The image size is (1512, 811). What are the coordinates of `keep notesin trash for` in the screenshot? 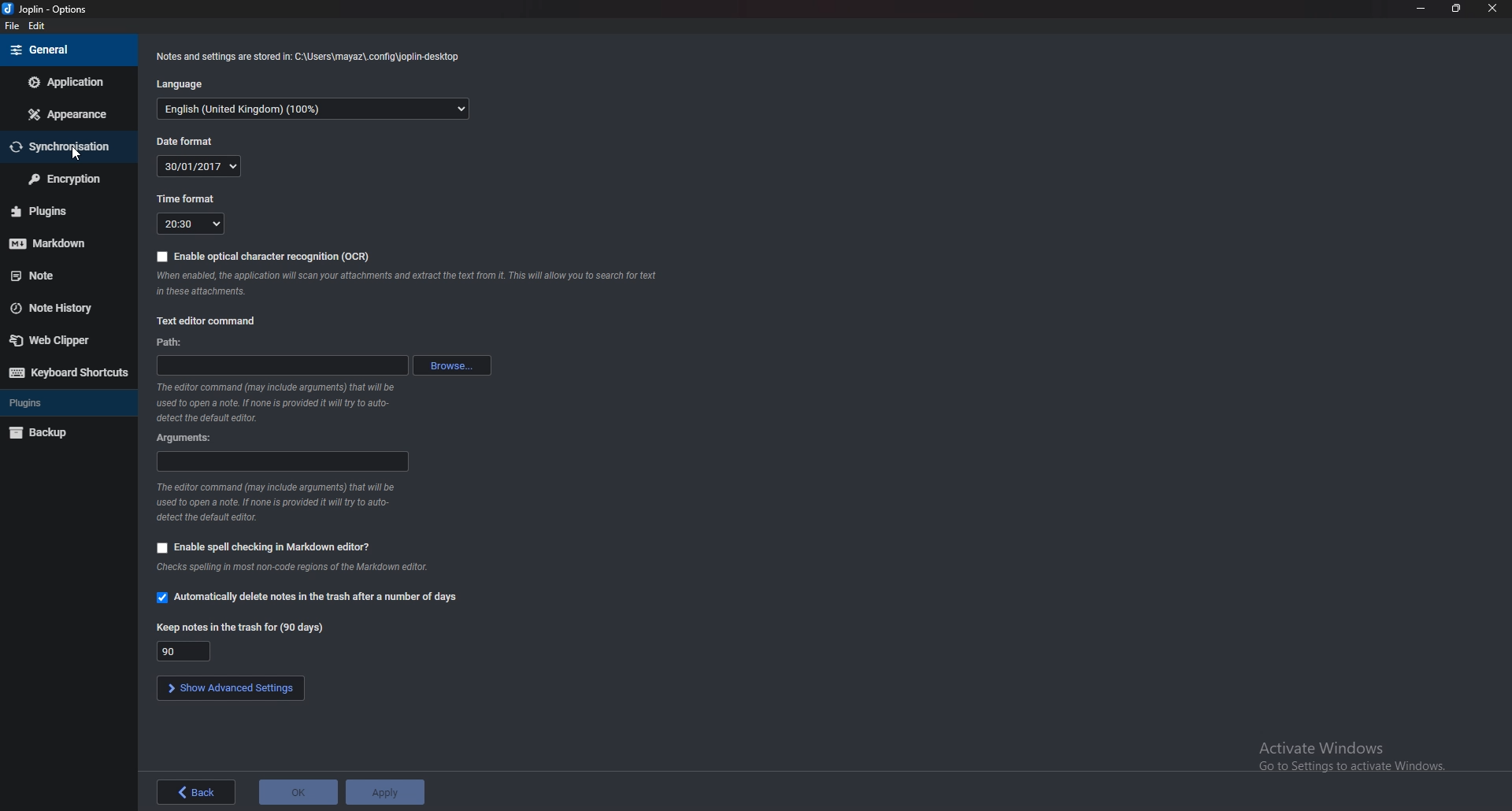 It's located at (241, 626).